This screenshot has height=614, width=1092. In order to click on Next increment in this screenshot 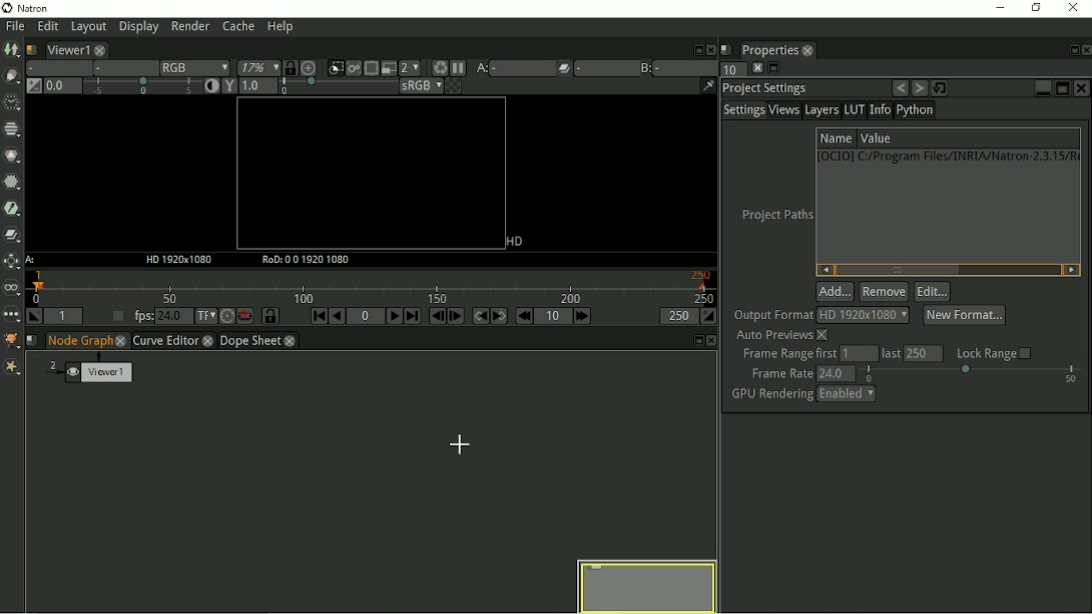, I will do `click(583, 317)`.